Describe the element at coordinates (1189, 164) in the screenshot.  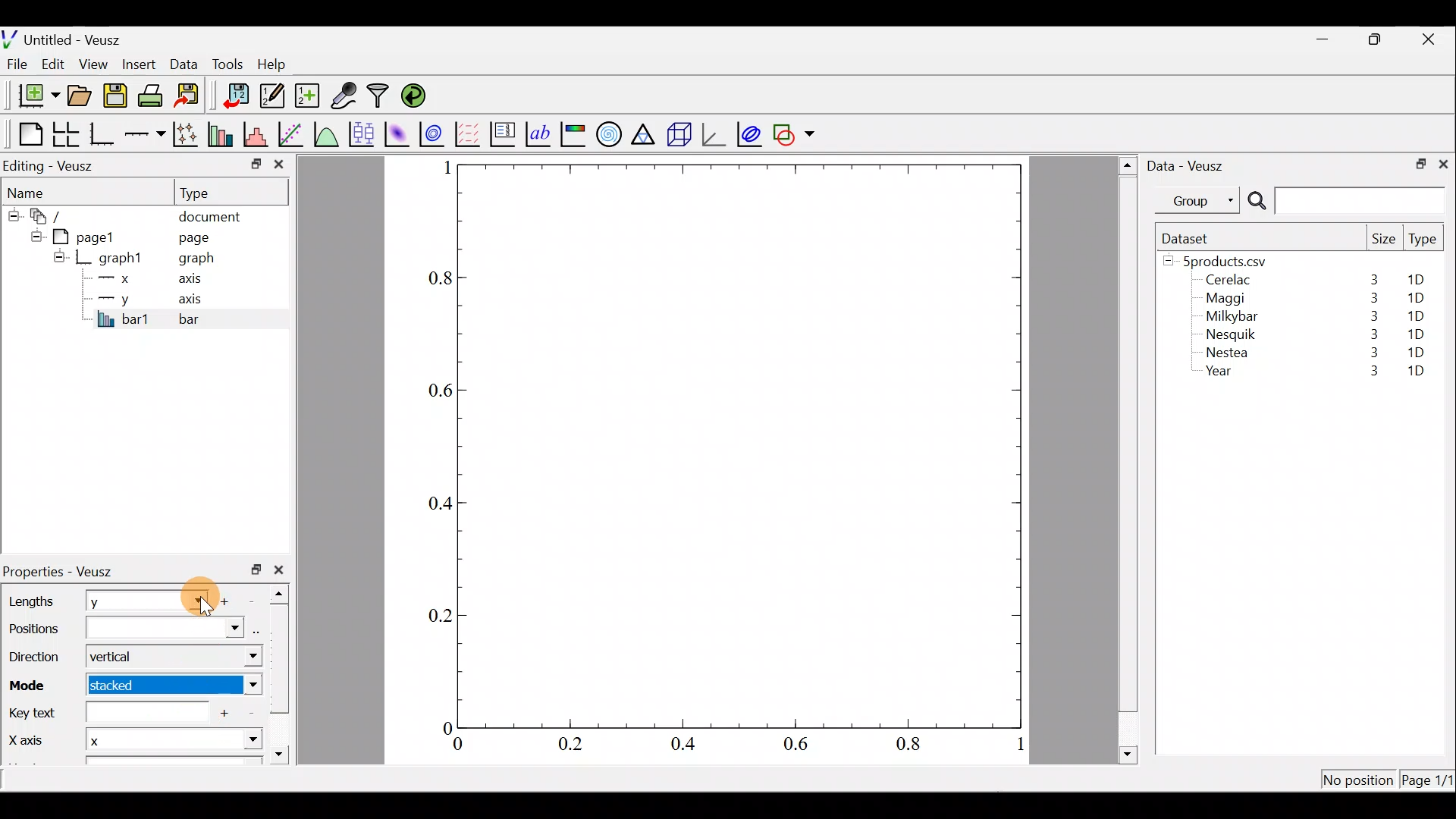
I see `Data - Veusz` at that location.